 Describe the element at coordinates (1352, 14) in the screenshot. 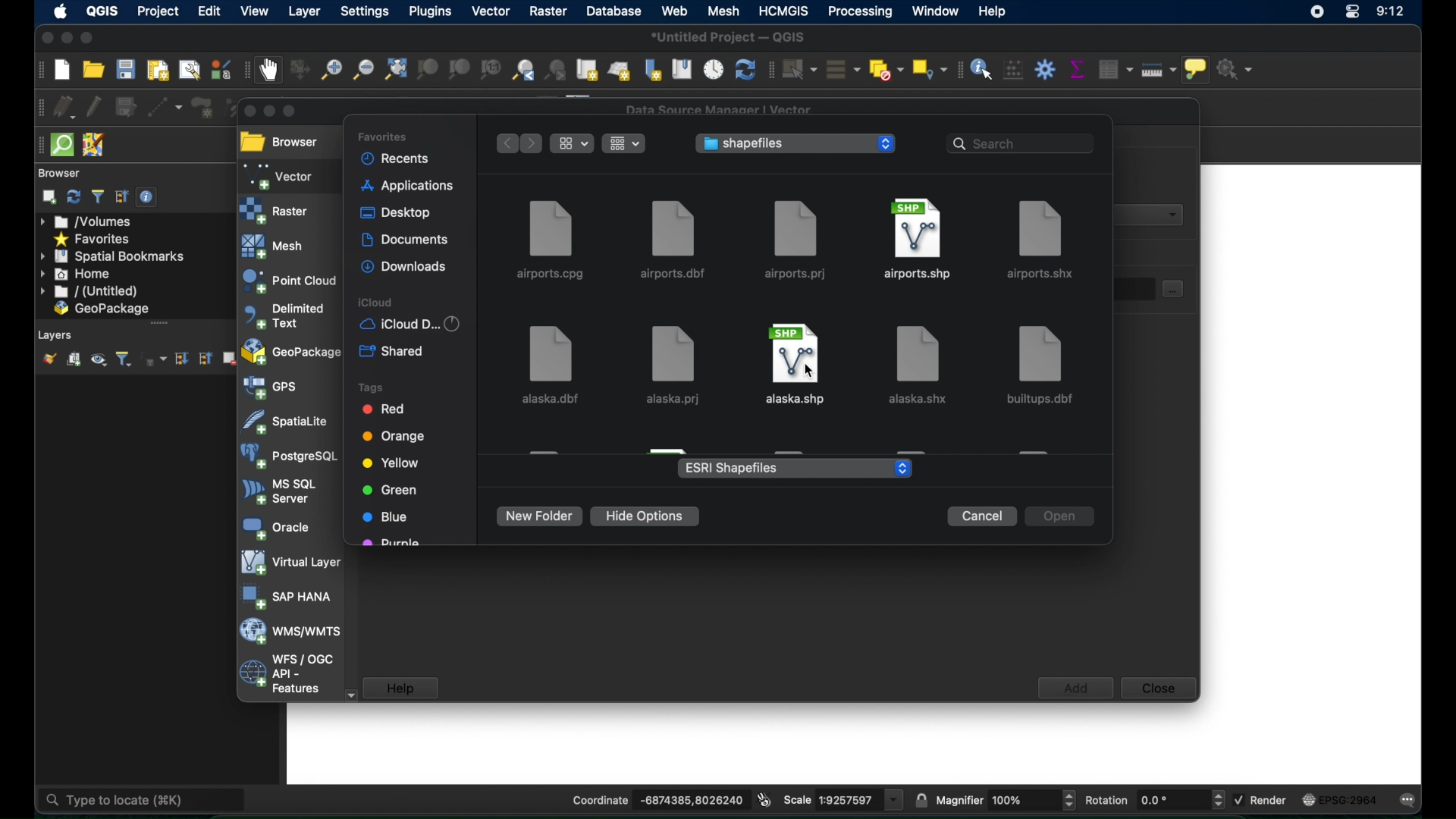

I see `control center` at that location.